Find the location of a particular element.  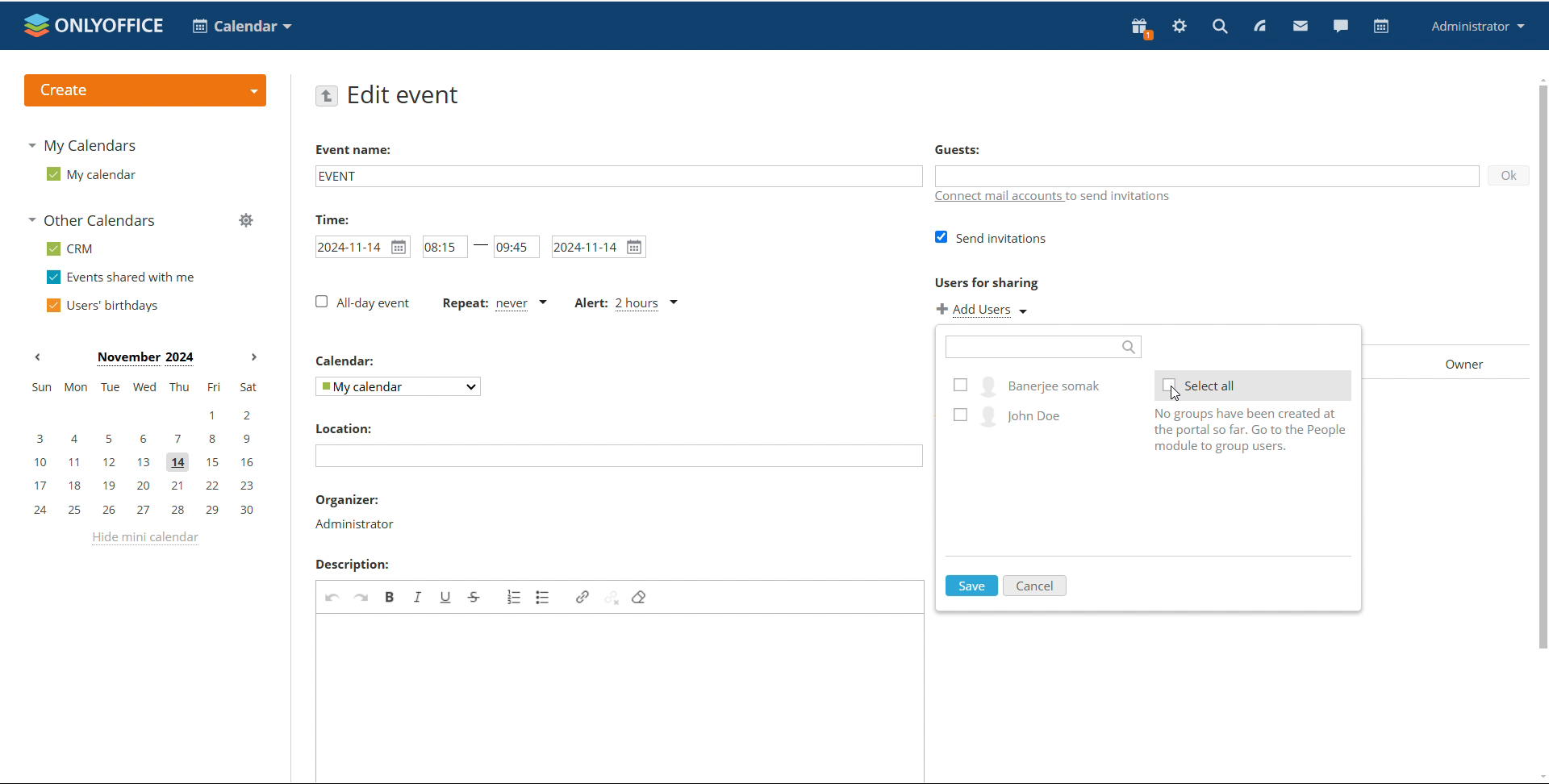

10, 11, 12, 13, 14, 15, 16 is located at coordinates (144, 463).